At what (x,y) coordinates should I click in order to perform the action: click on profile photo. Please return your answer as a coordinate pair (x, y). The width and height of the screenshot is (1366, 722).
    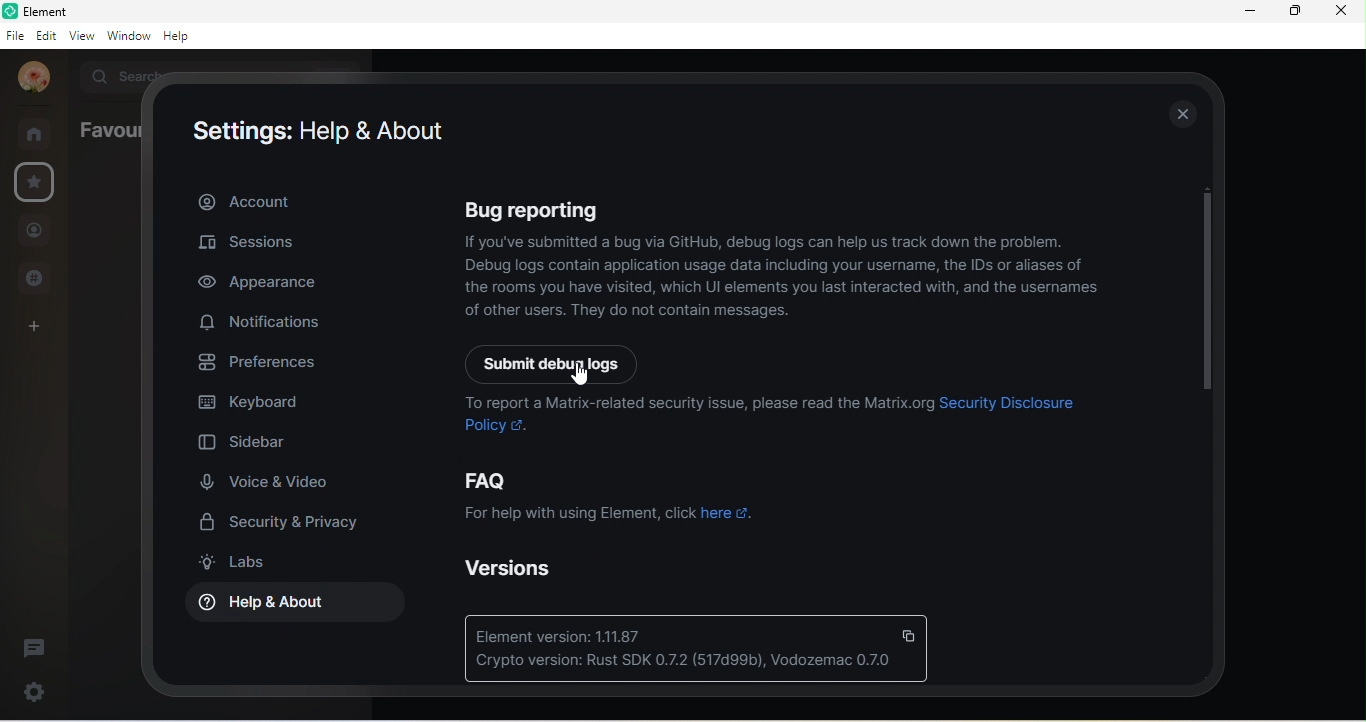
    Looking at the image, I should click on (28, 78).